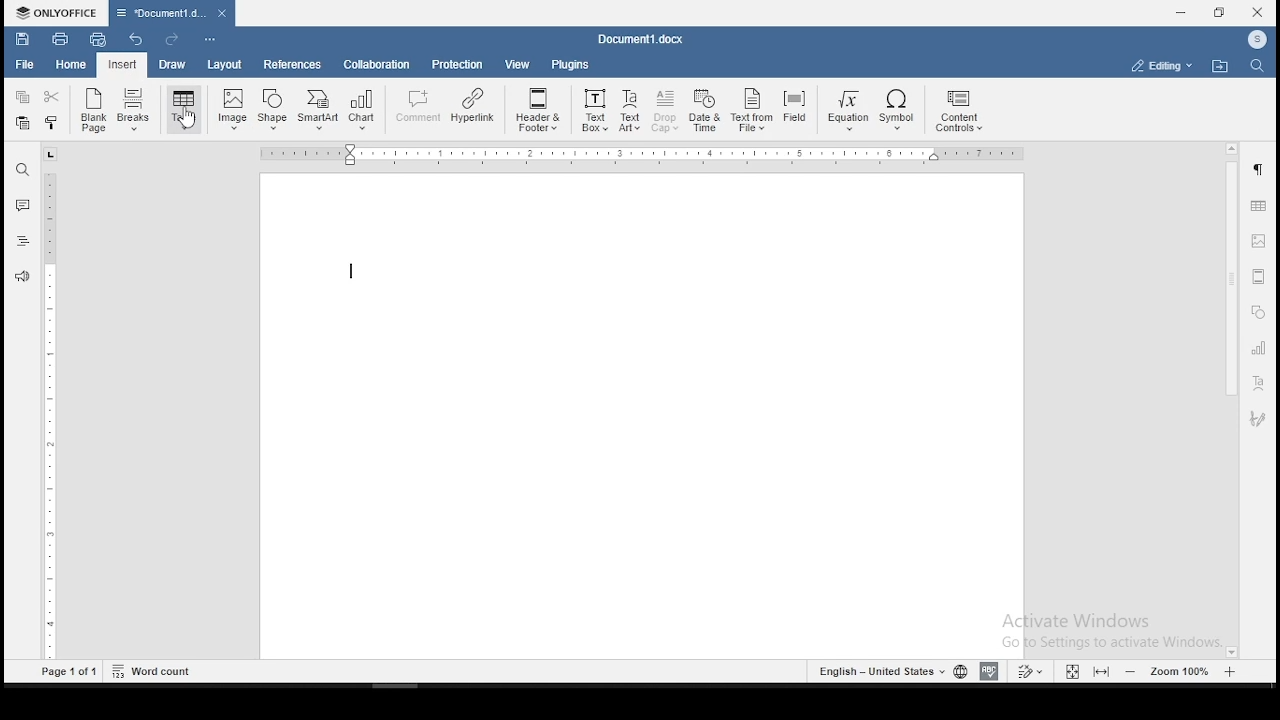  Describe the element at coordinates (210, 41) in the screenshot. I see `customize quick toolbars` at that location.